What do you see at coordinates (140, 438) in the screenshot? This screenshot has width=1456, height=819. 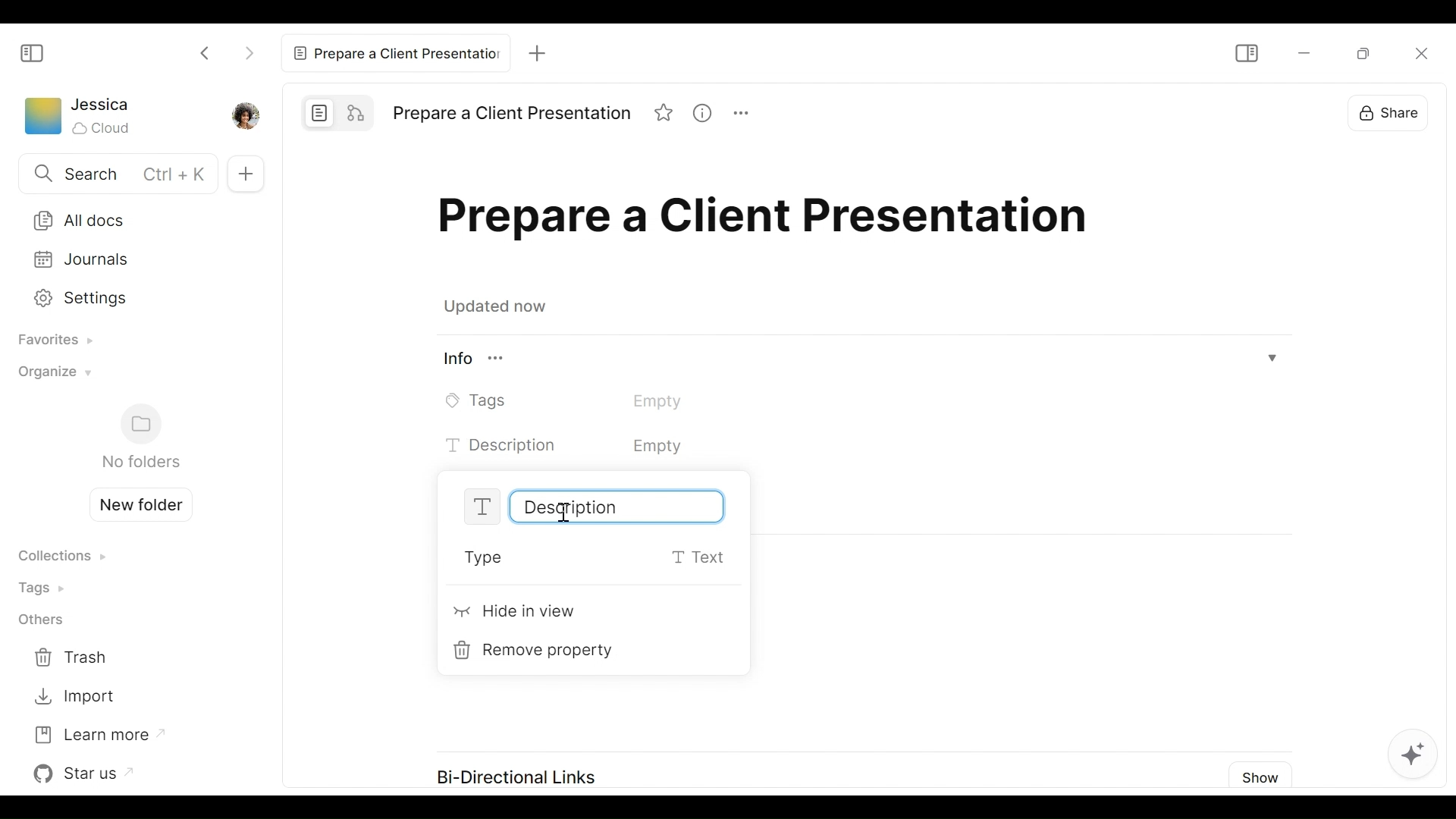 I see `Folders` at bounding box center [140, 438].